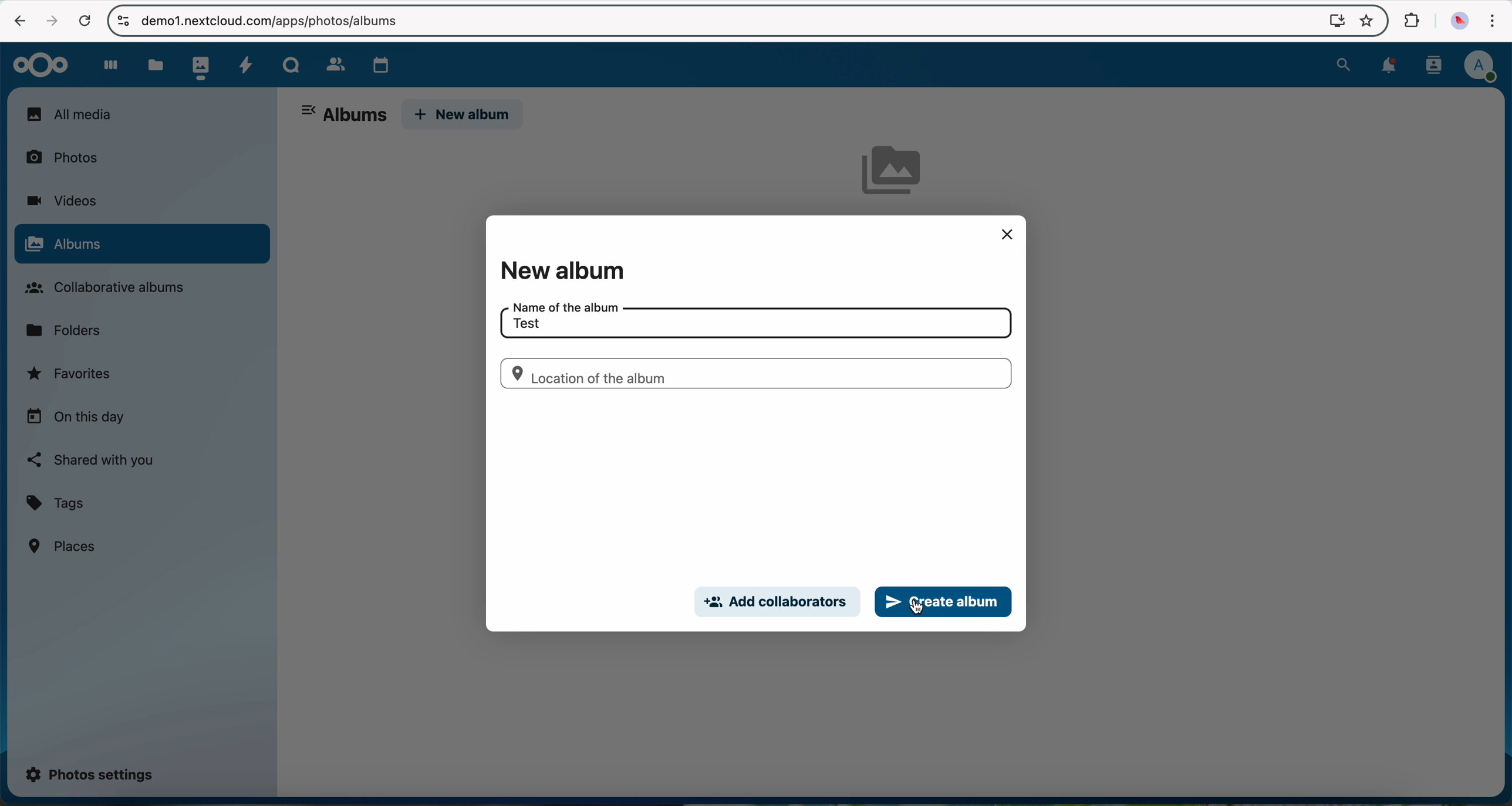 This screenshot has height=806, width=1512. What do you see at coordinates (198, 65) in the screenshot?
I see `photos` at bounding box center [198, 65].